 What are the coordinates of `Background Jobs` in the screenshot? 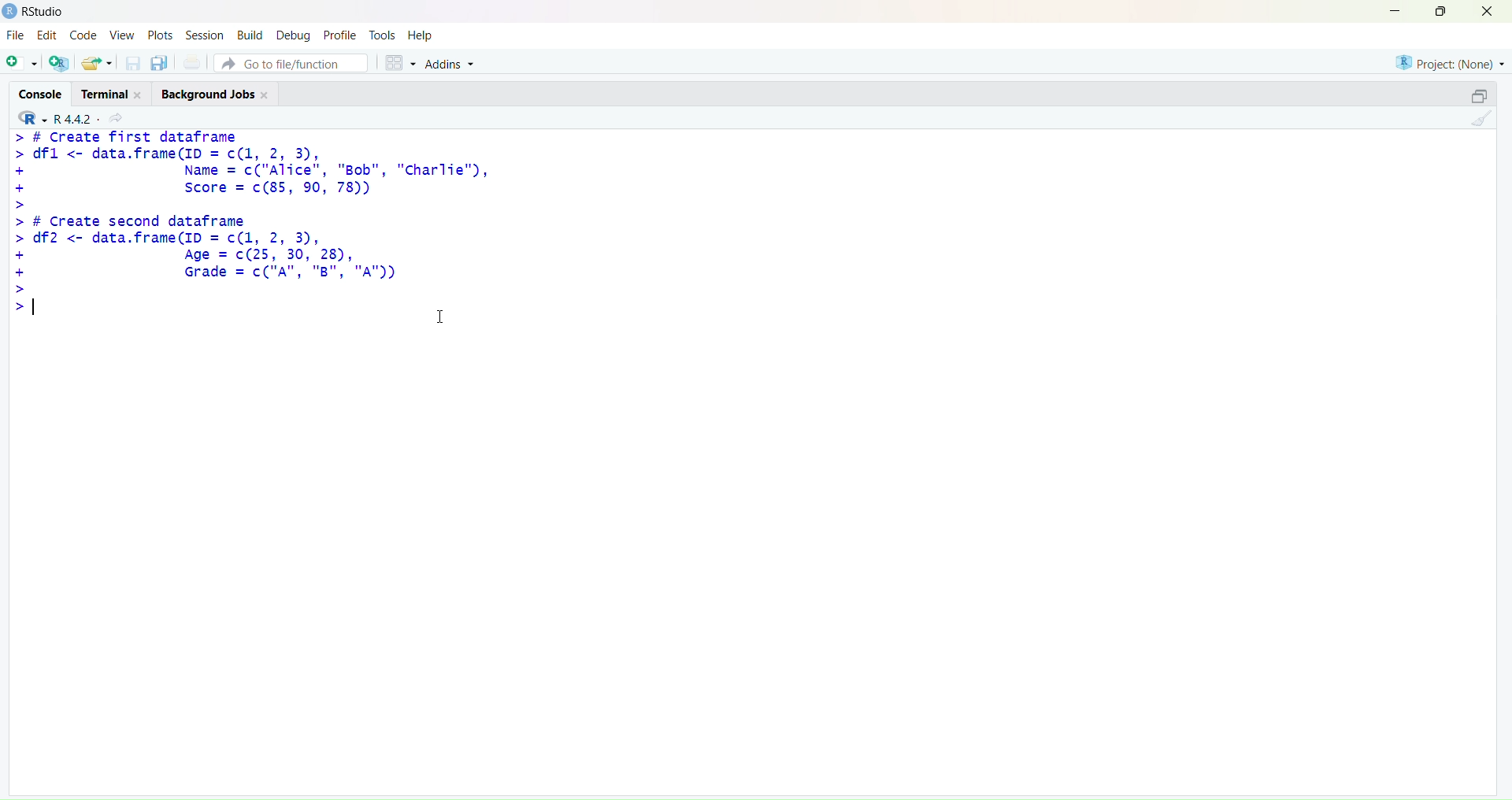 It's located at (217, 93).